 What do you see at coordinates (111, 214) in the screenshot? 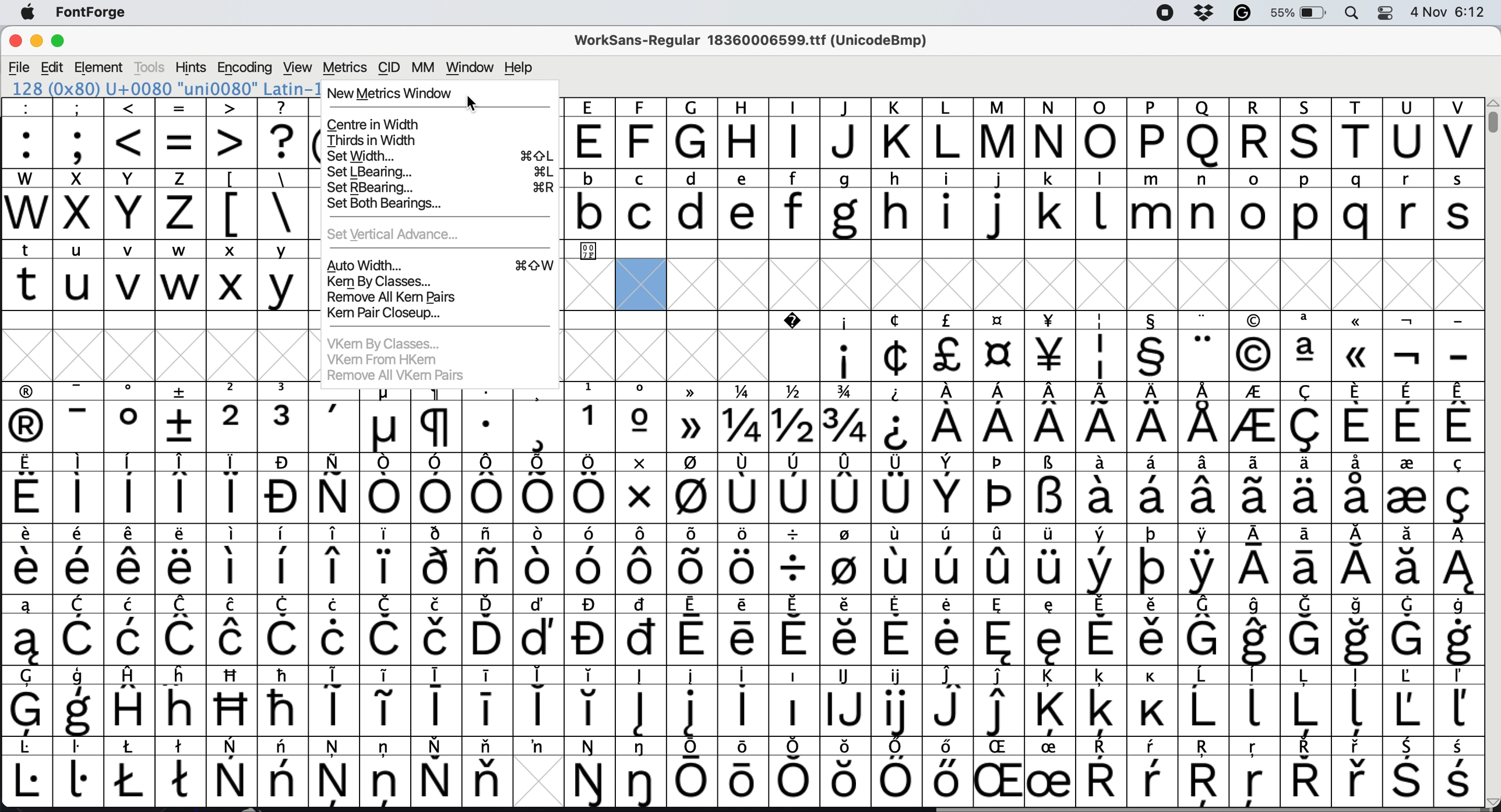
I see `uppercase letters` at bounding box center [111, 214].